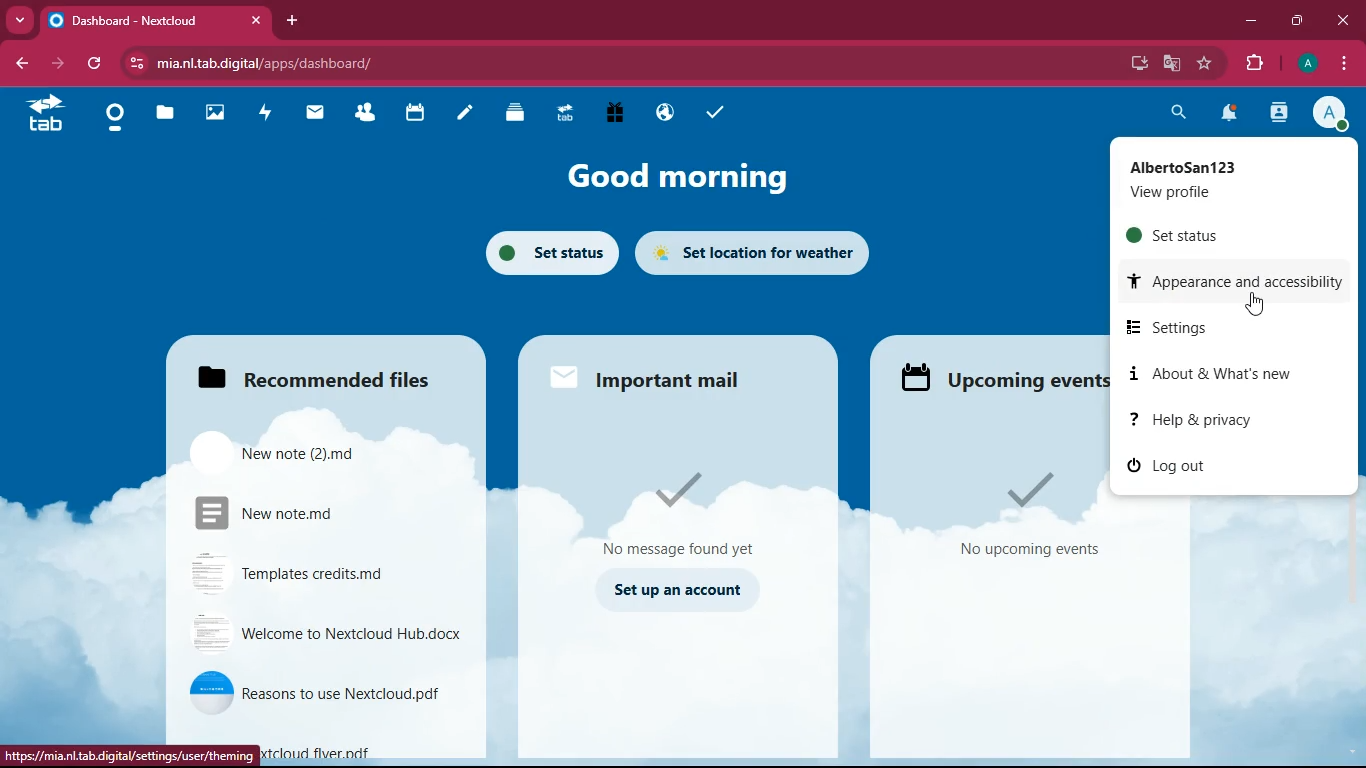 This screenshot has height=768, width=1366. Describe the element at coordinates (1343, 21) in the screenshot. I see `close` at that location.